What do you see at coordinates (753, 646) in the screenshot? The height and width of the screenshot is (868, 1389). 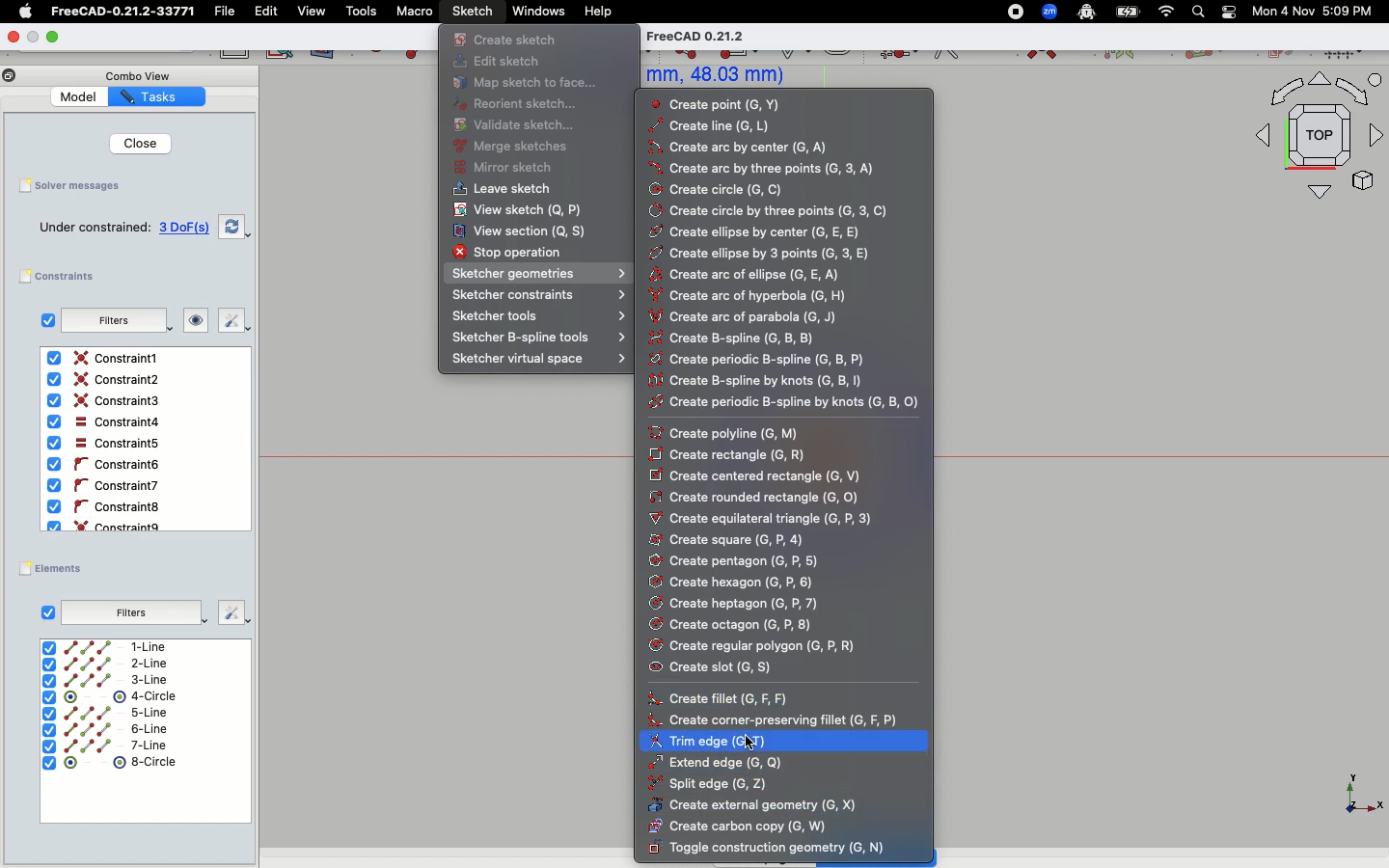 I see `Create regular polygon` at bounding box center [753, 646].